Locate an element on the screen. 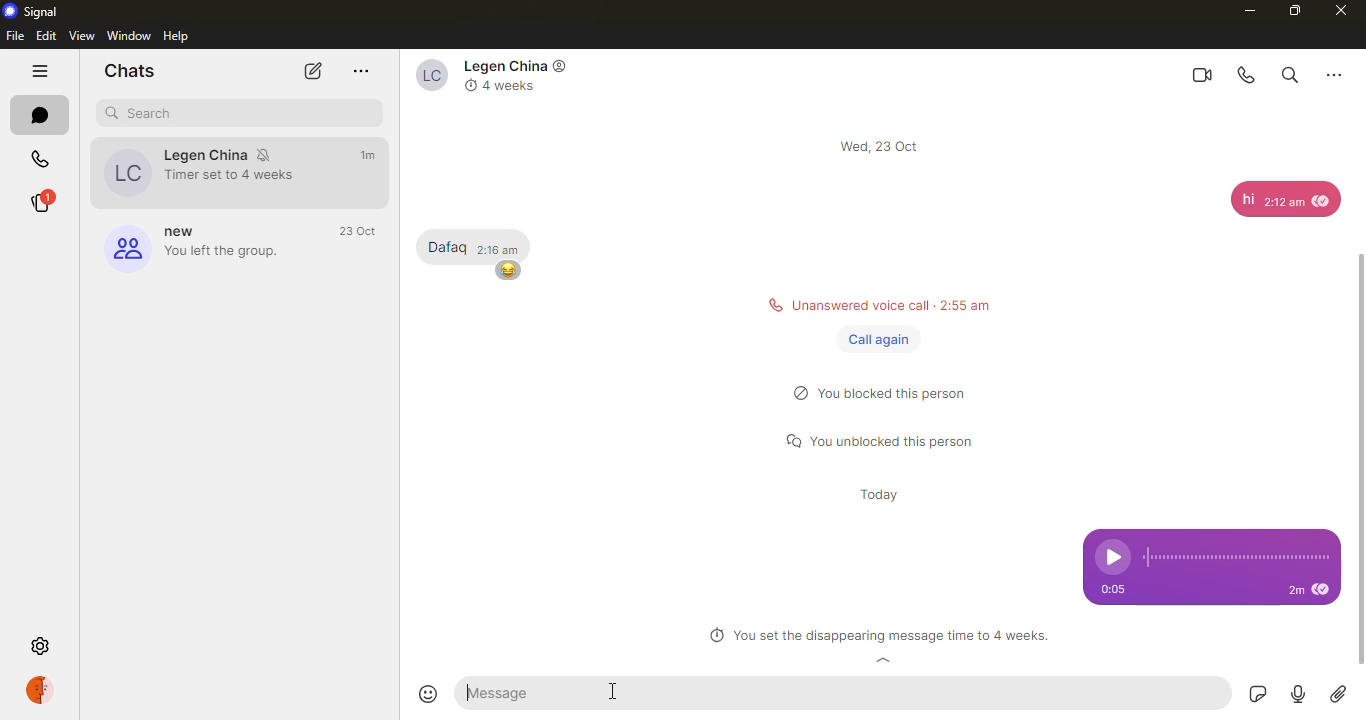 Image resolution: width=1366 pixels, height=720 pixels. view is located at coordinates (83, 35).